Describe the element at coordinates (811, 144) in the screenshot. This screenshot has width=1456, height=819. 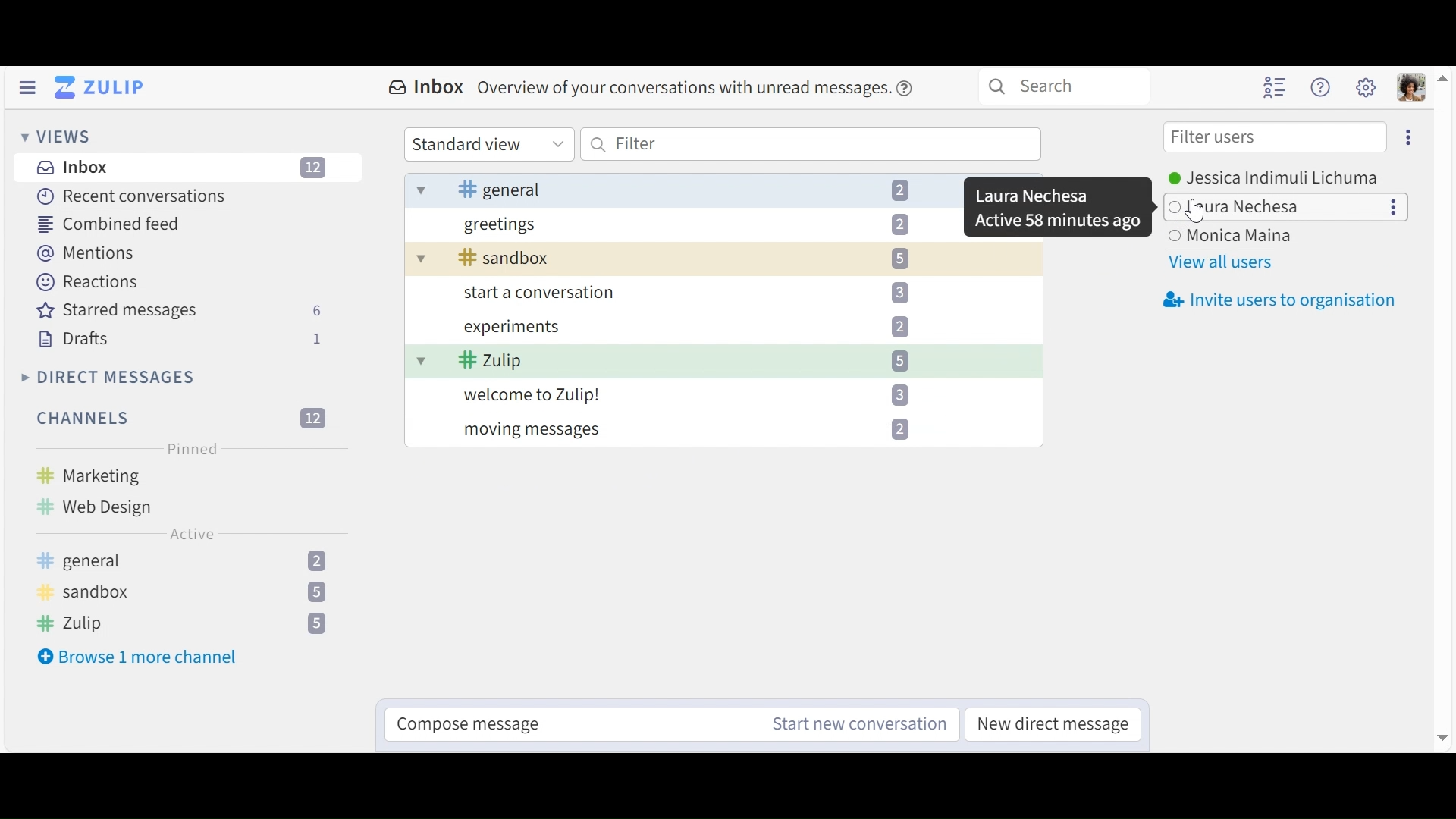
I see `Filter` at that location.